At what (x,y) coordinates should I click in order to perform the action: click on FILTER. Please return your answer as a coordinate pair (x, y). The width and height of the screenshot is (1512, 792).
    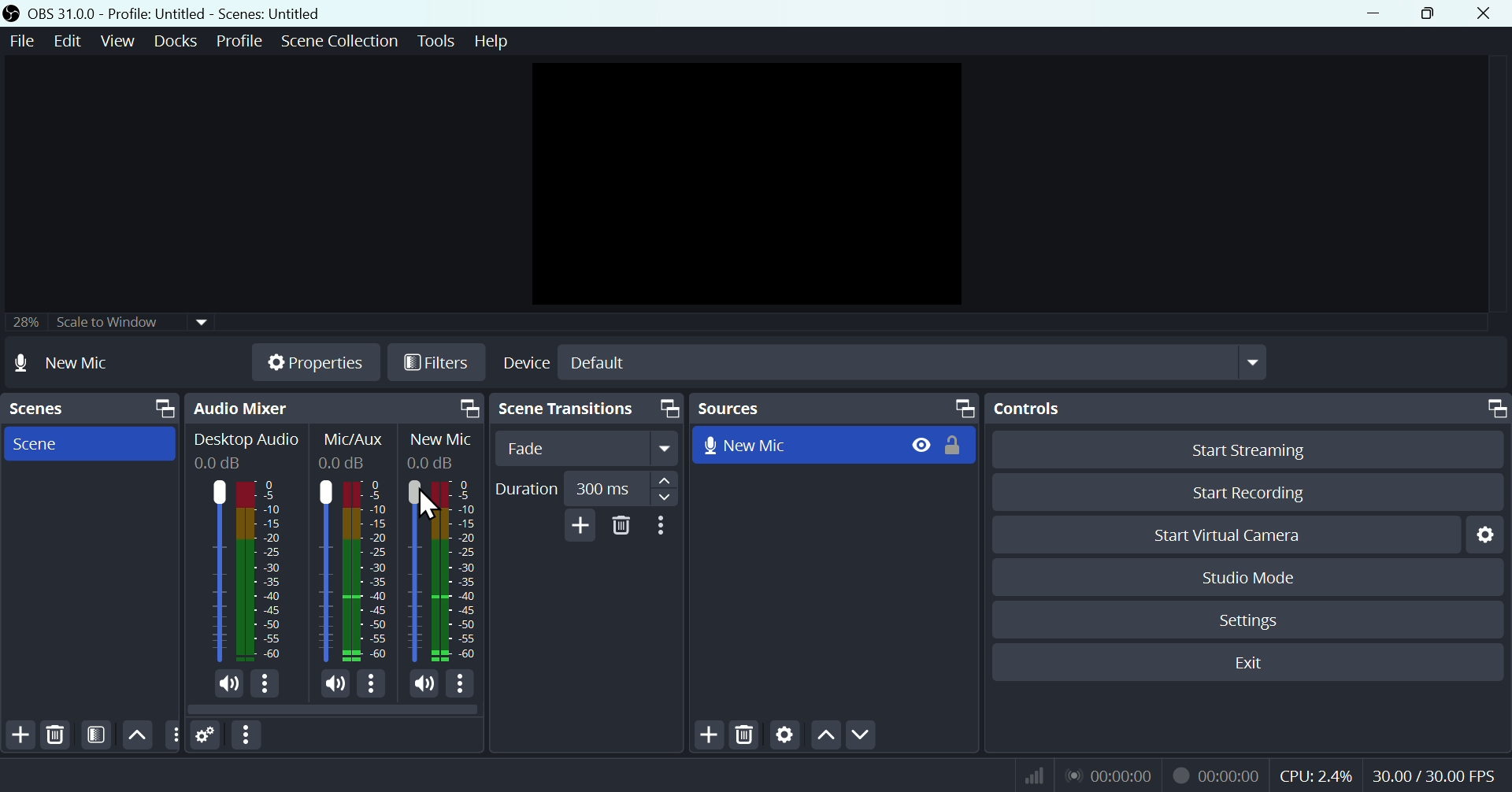
    Looking at the image, I should click on (94, 735).